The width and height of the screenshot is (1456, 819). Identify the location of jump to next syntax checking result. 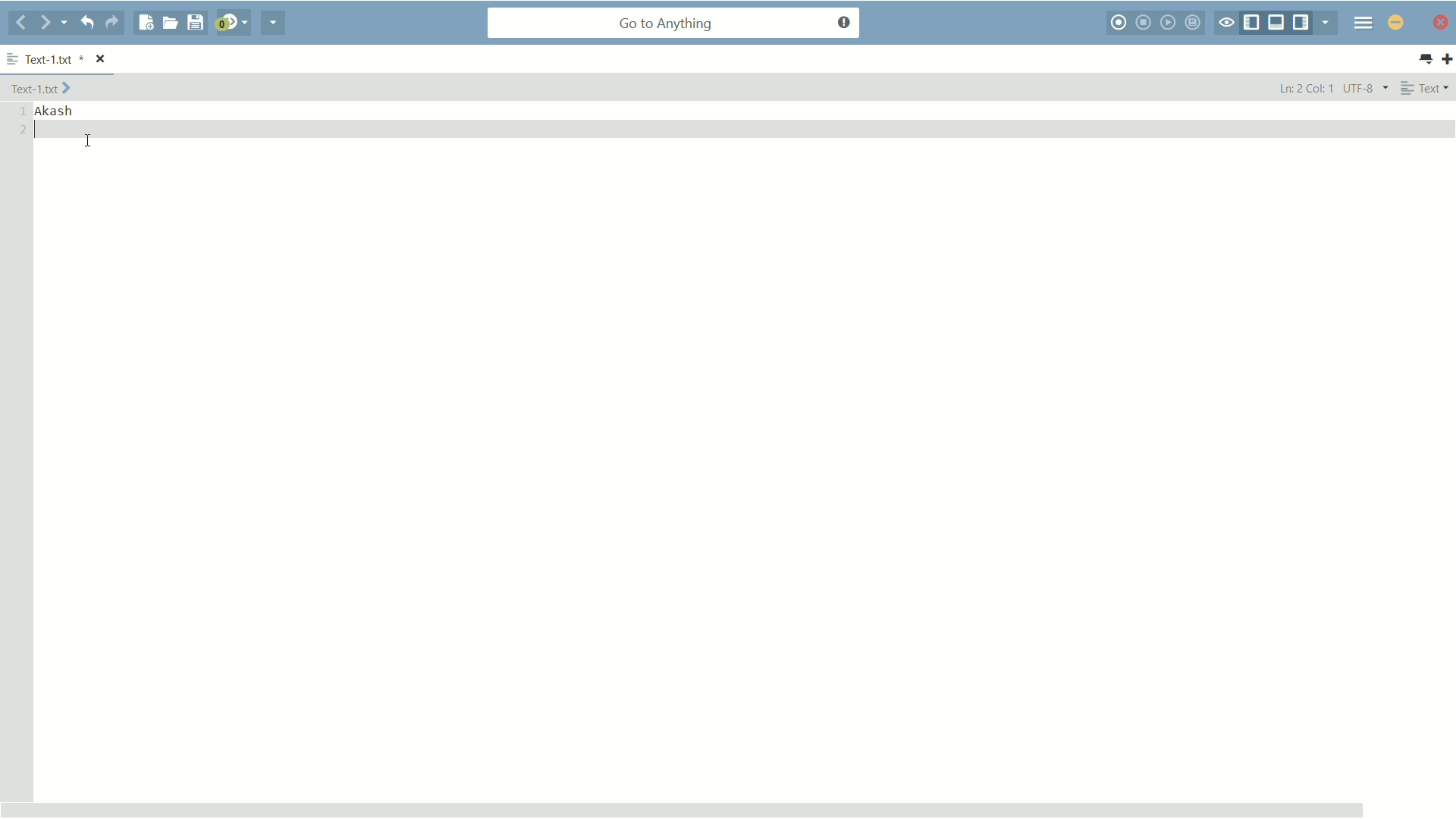
(233, 24).